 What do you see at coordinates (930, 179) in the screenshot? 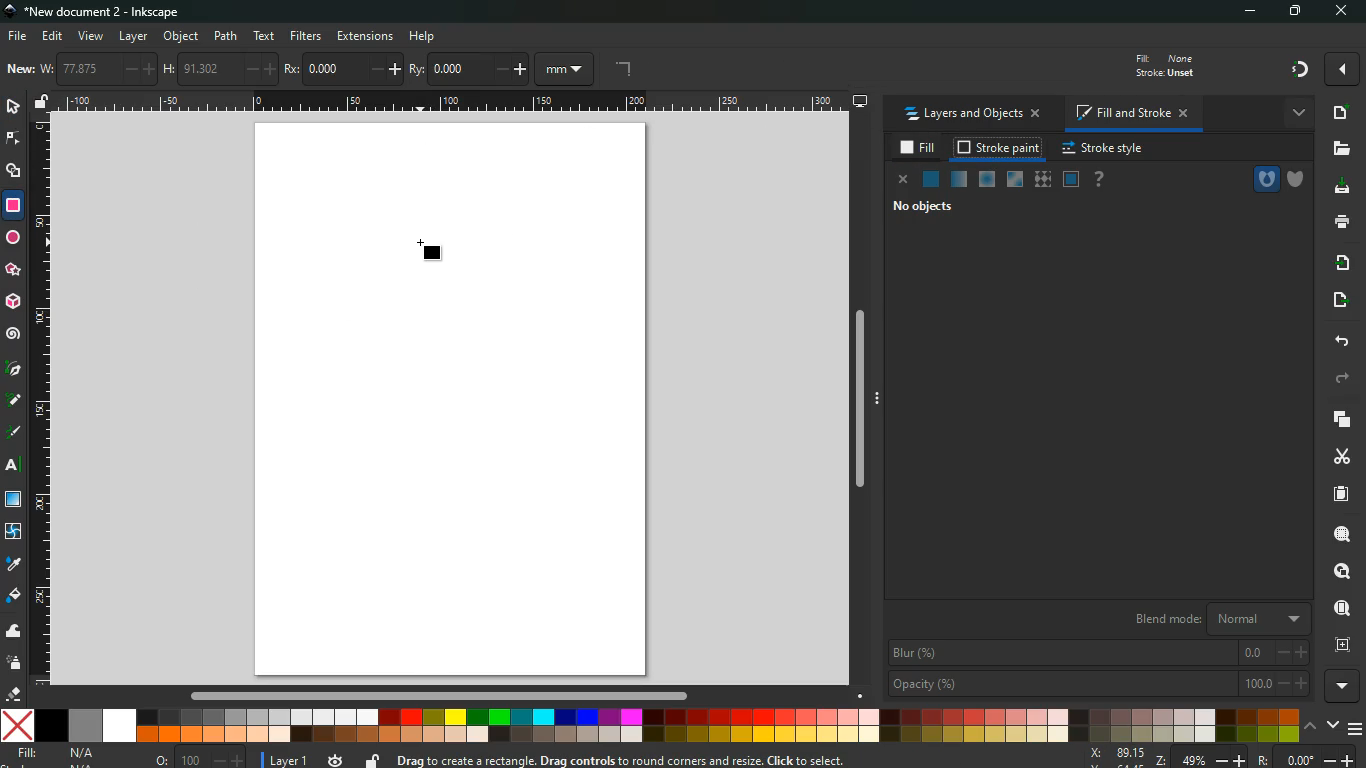
I see `normal` at bounding box center [930, 179].